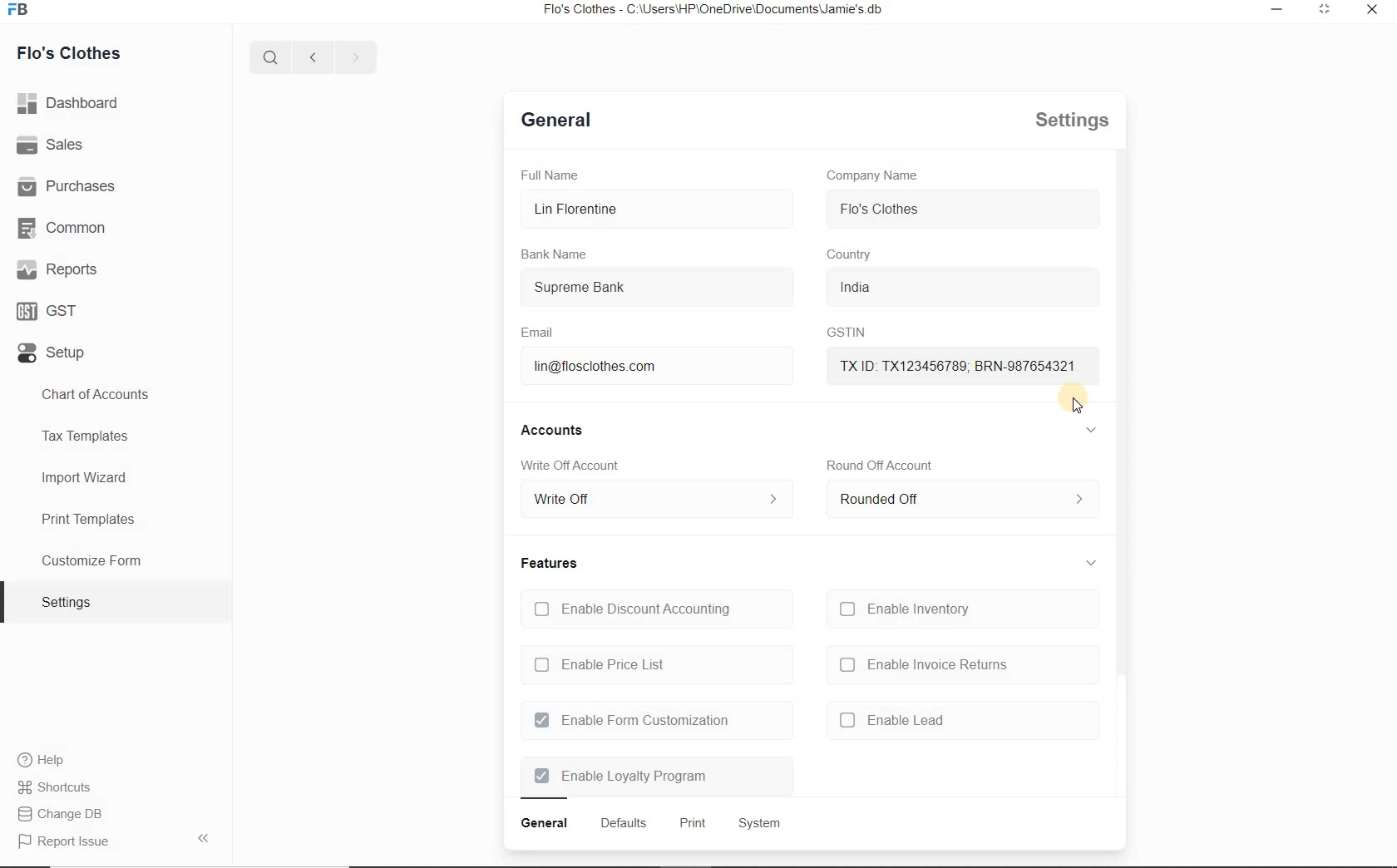 This screenshot has height=868, width=1397. What do you see at coordinates (881, 209) in the screenshot?
I see `flo's clothes` at bounding box center [881, 209].